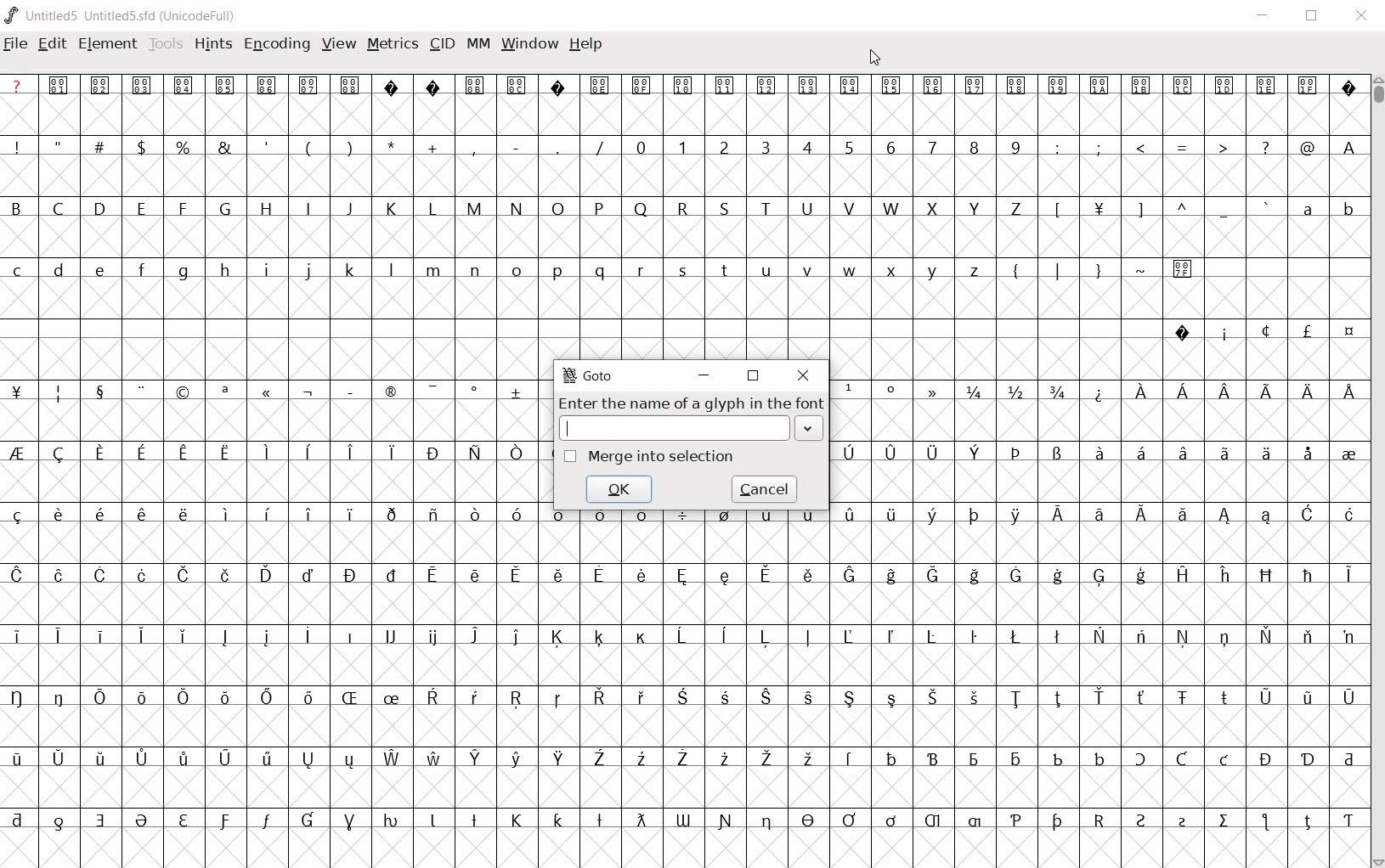 This screenshot has width=1385, height=868. I want to click on Symbol, so click(308, 573).